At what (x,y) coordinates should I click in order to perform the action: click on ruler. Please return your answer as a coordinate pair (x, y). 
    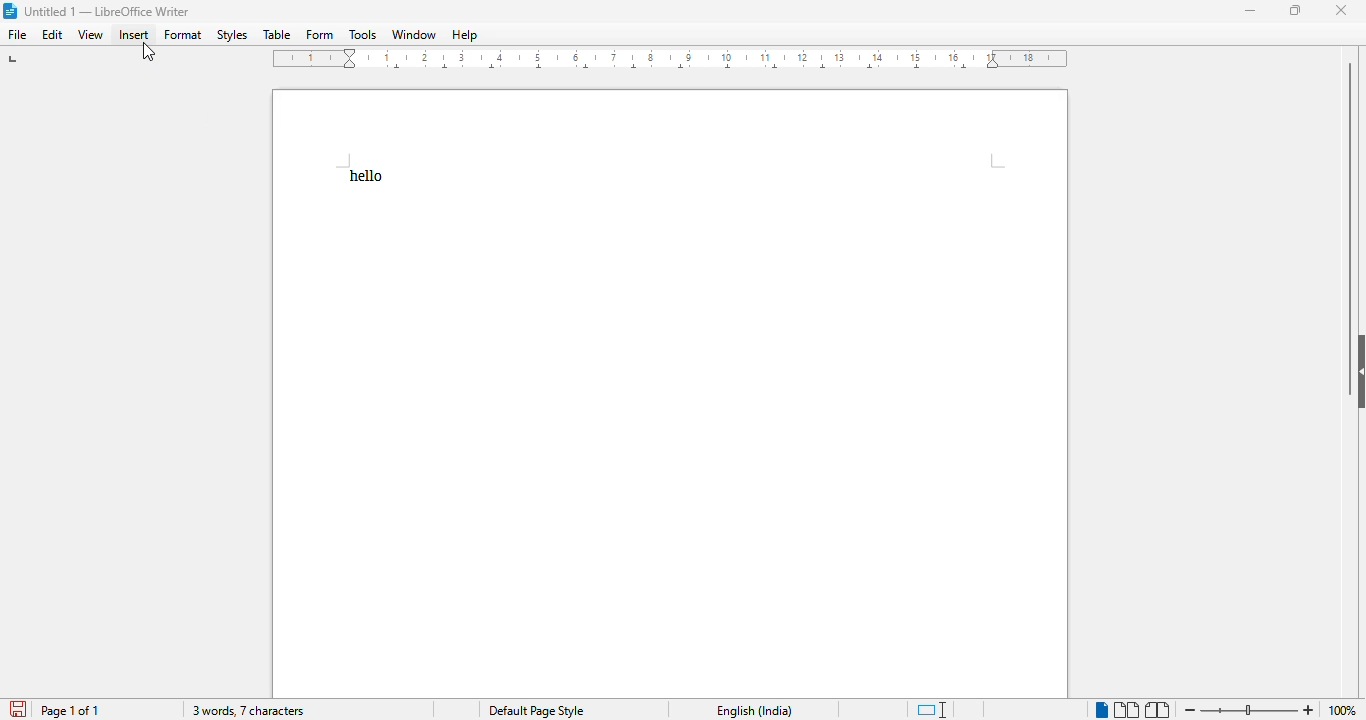
    Looking at the image, I should click on (671, 58).